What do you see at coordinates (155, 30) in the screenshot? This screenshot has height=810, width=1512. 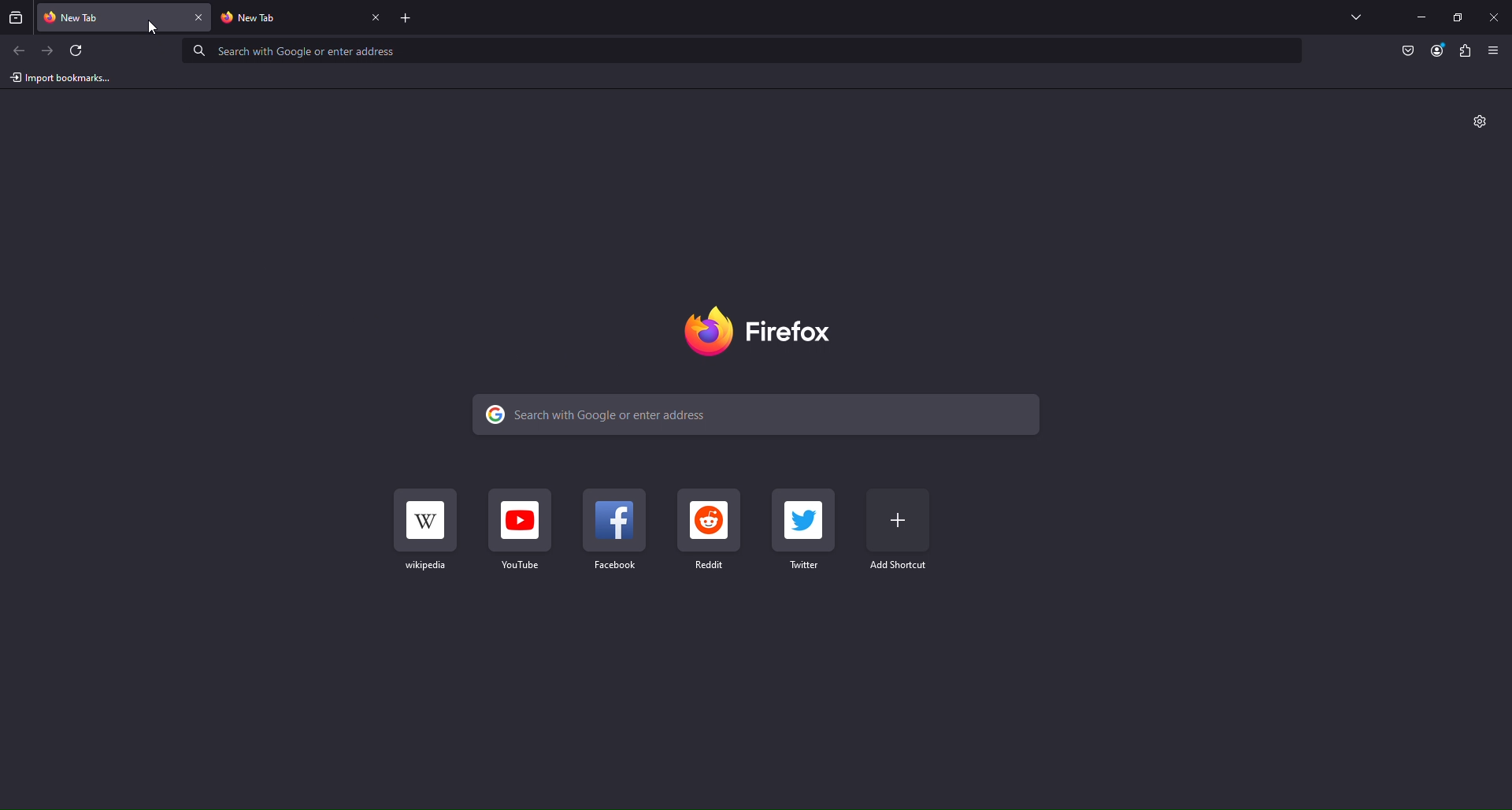 I see `cursor` at bounding box center [155, 30].